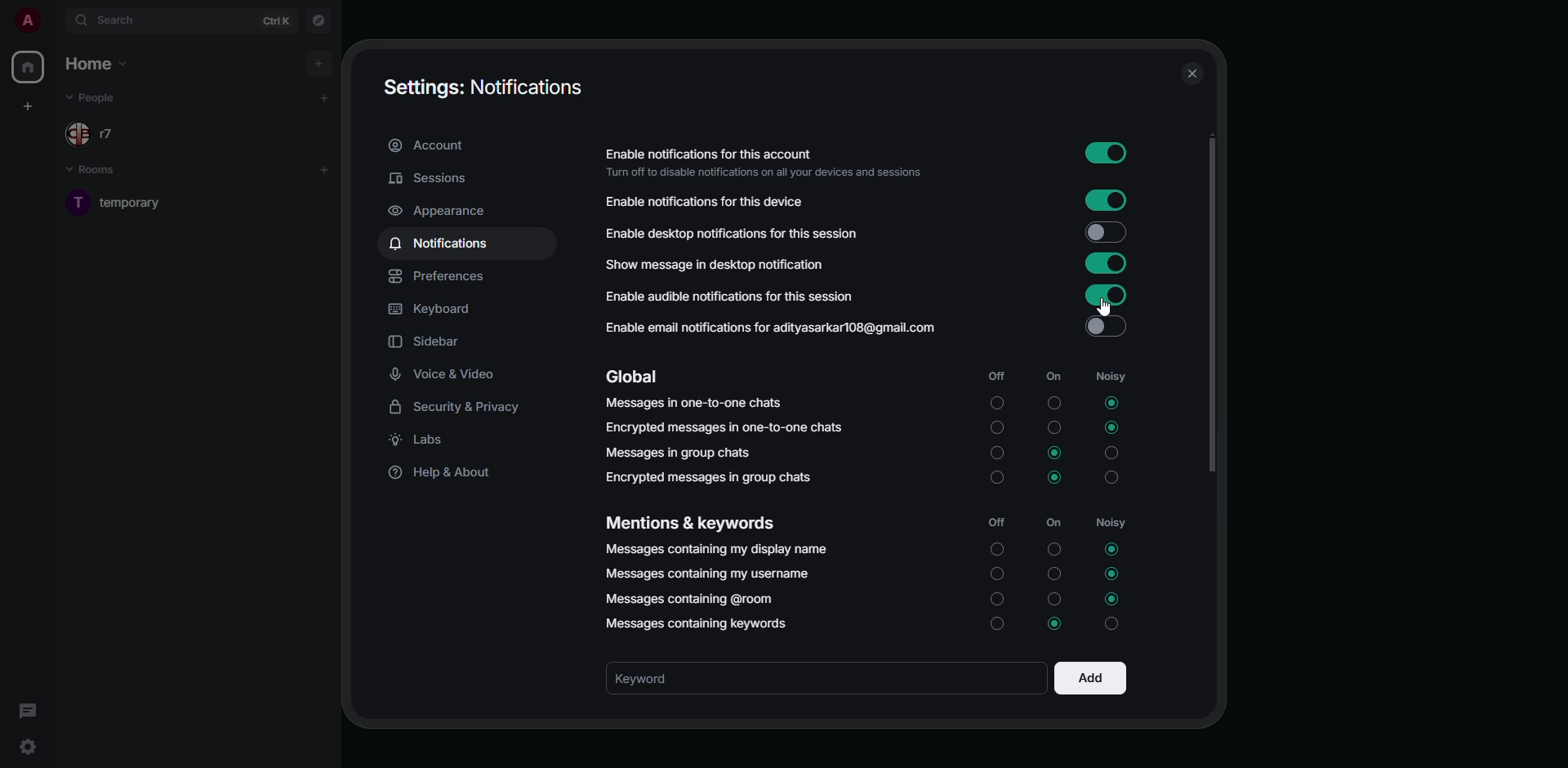 This screenshot has height=768, width=1568. Describe the element at coordinates (122, 19) in the screenshot. I see `search` at that location.